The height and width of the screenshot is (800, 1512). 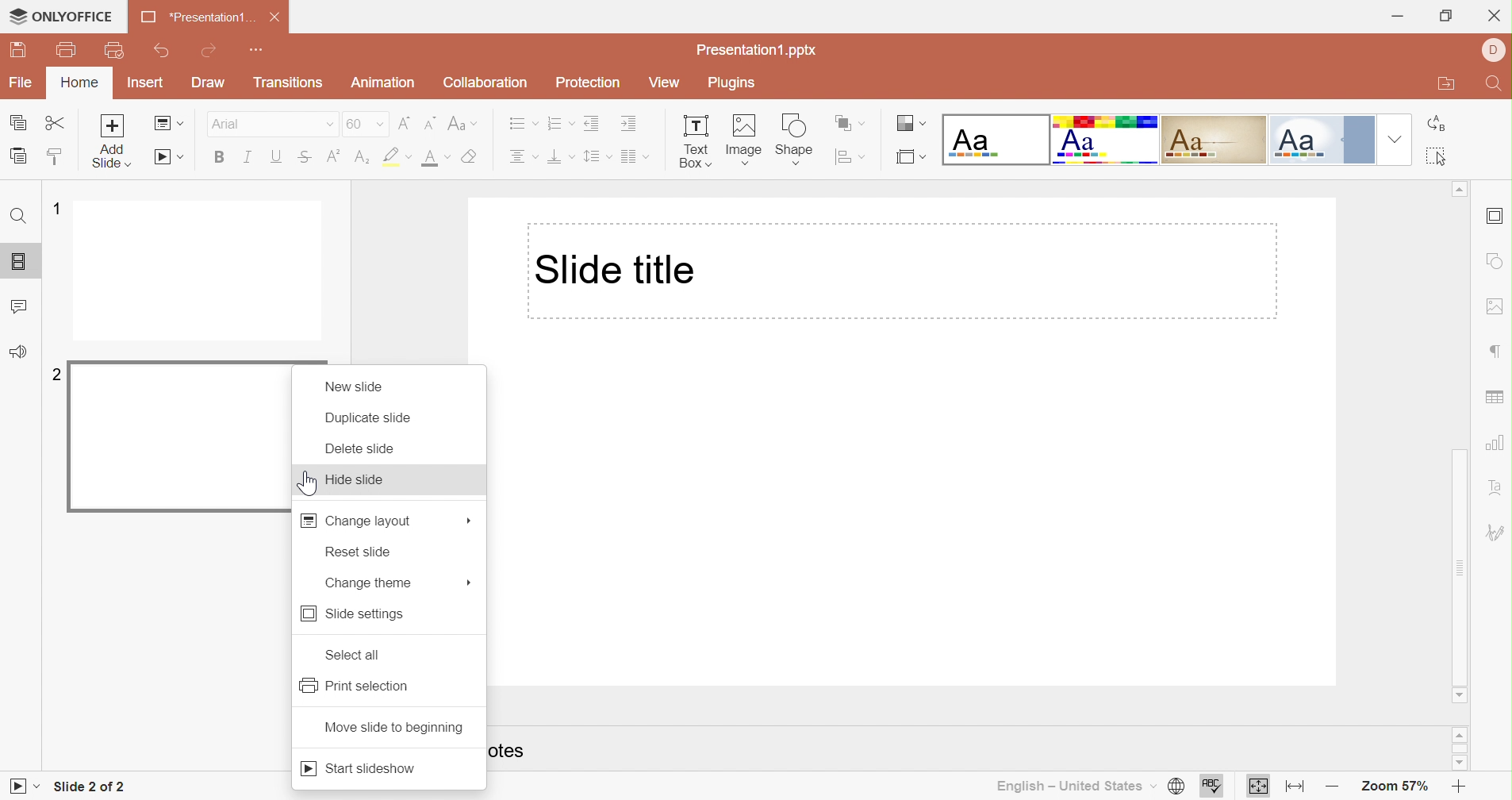 What do you see at coordinates (1394, 142) in the screenshot?
I see `Drop Down` at bounding box center [1394, 142].